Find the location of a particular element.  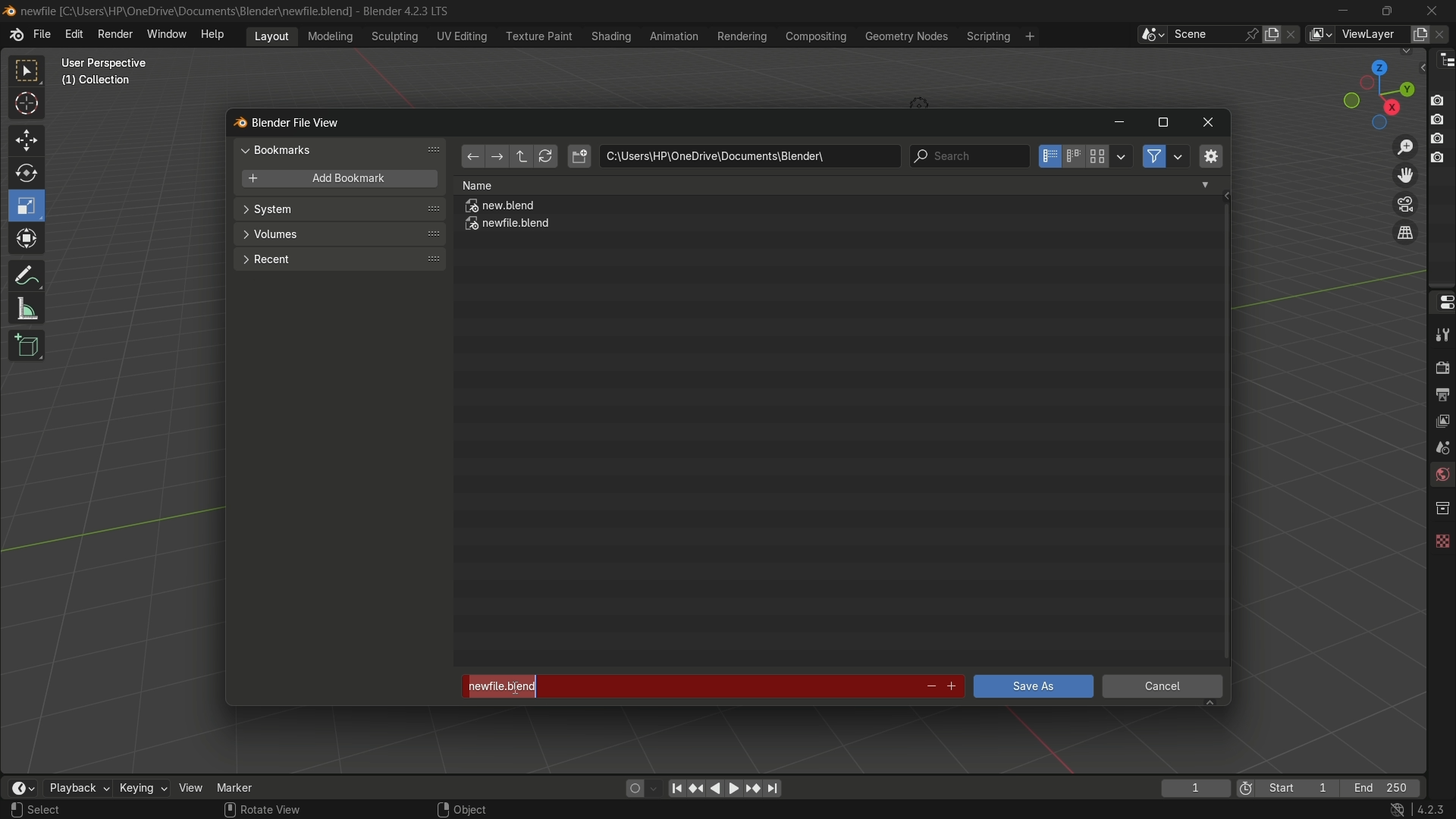

toggle region is located at coordinates (1210, 155).